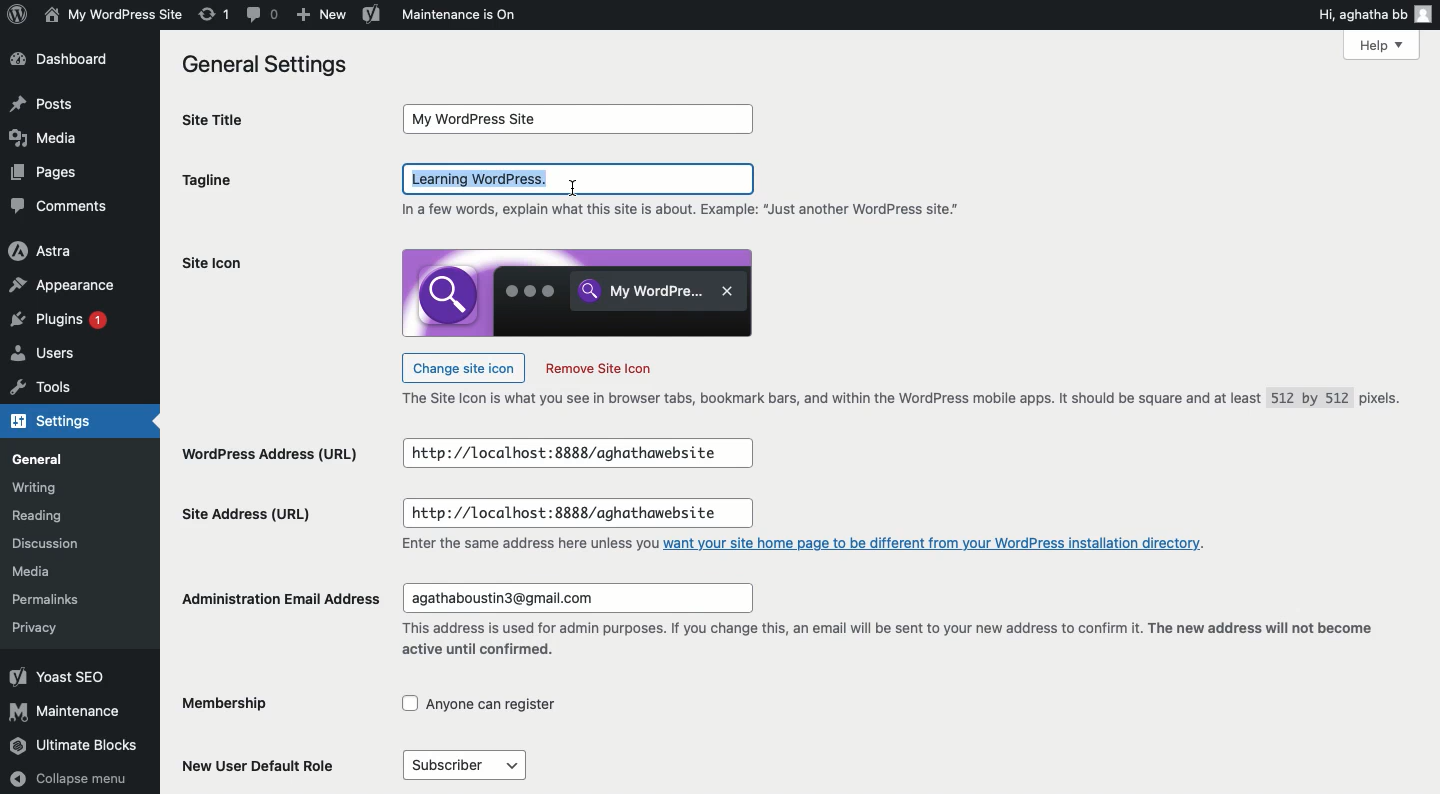 The width and height of the screenshot is (1440, 794). I want to click on Discussion, so click(53, 546).